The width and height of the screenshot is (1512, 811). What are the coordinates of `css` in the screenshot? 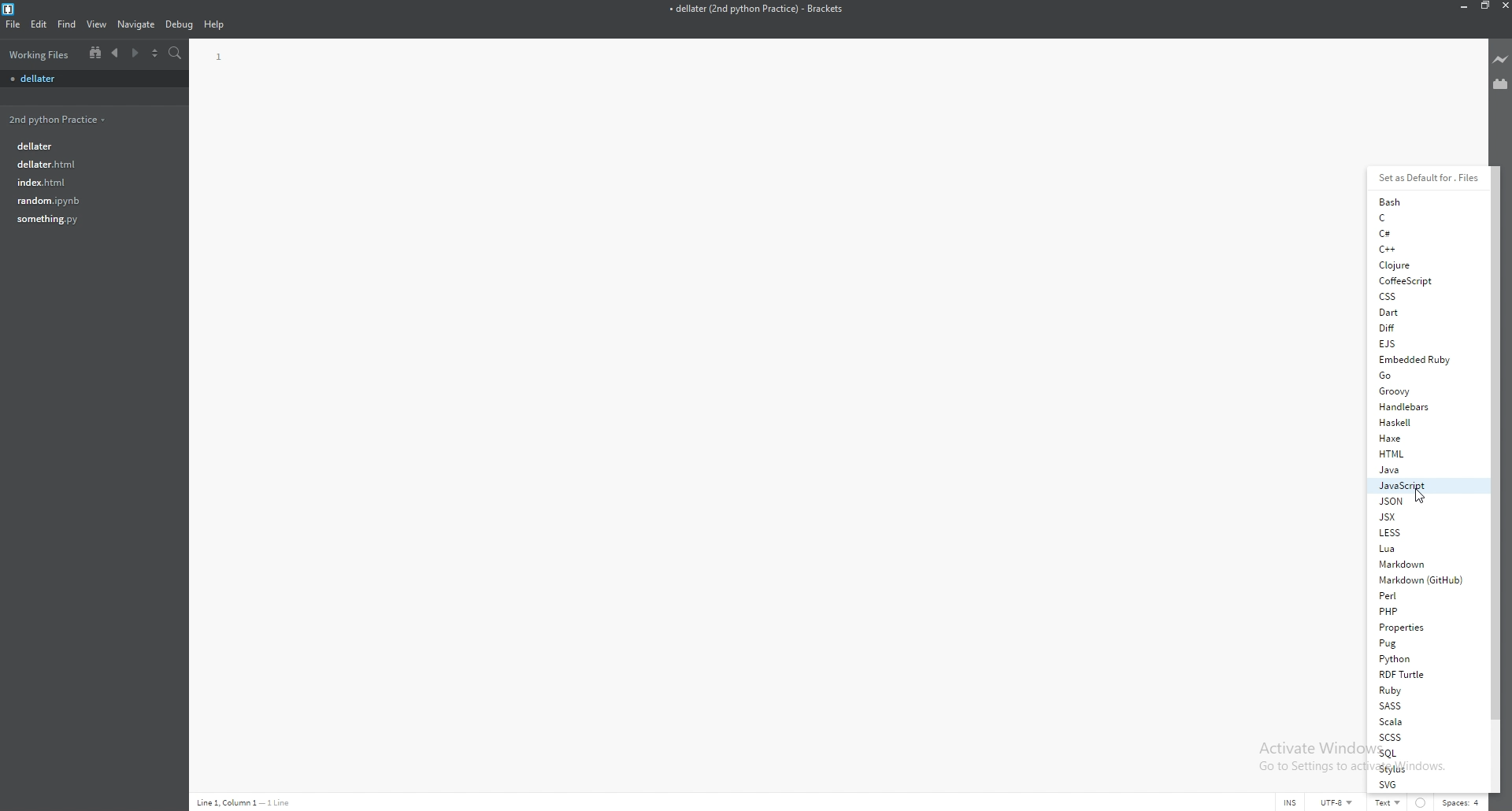 It's located at (1421, 297).